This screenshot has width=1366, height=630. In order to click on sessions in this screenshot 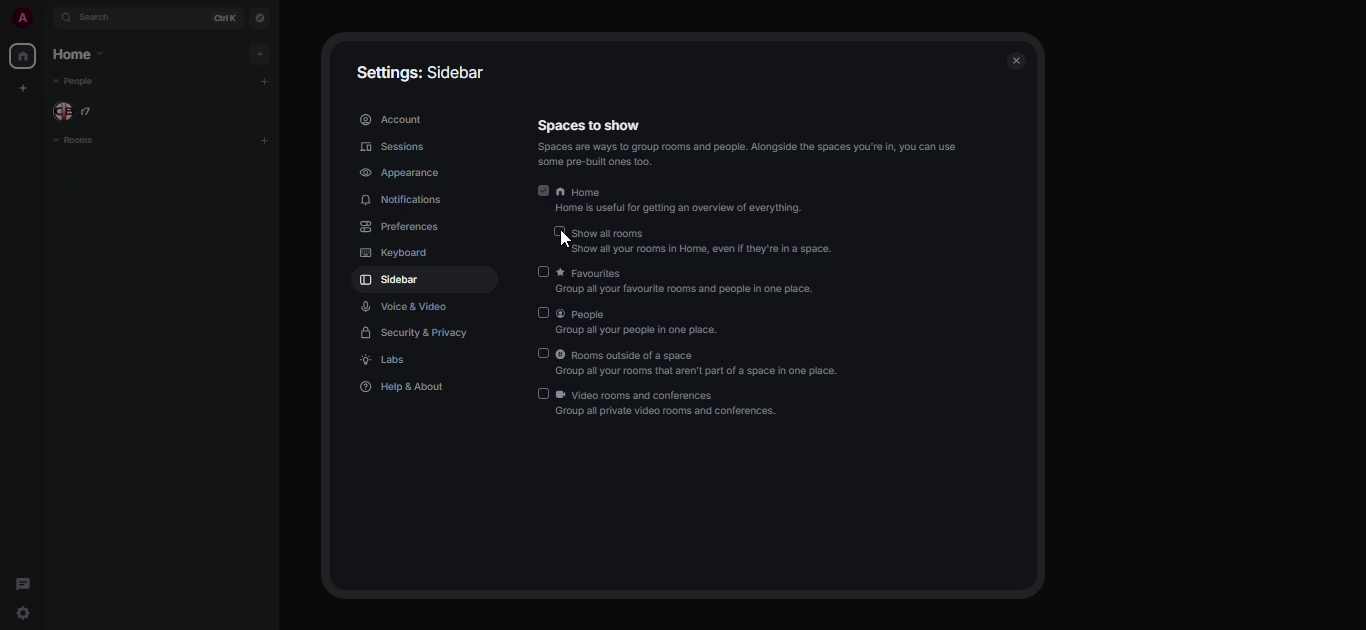, I will do `click(394, 146)`.